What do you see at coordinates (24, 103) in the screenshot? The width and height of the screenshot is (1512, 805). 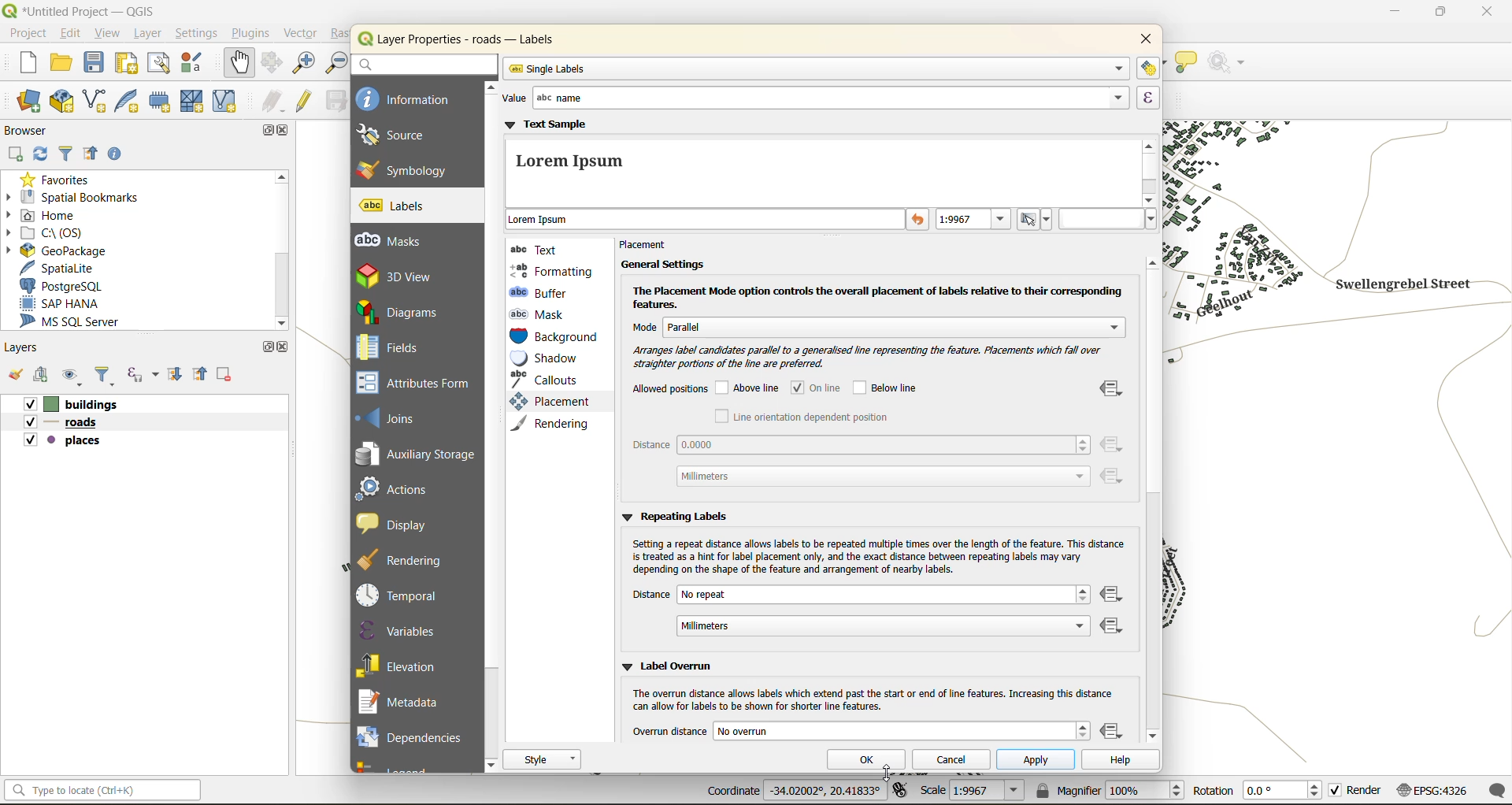 I see `open data source manager` at bounding box center [24, 103].